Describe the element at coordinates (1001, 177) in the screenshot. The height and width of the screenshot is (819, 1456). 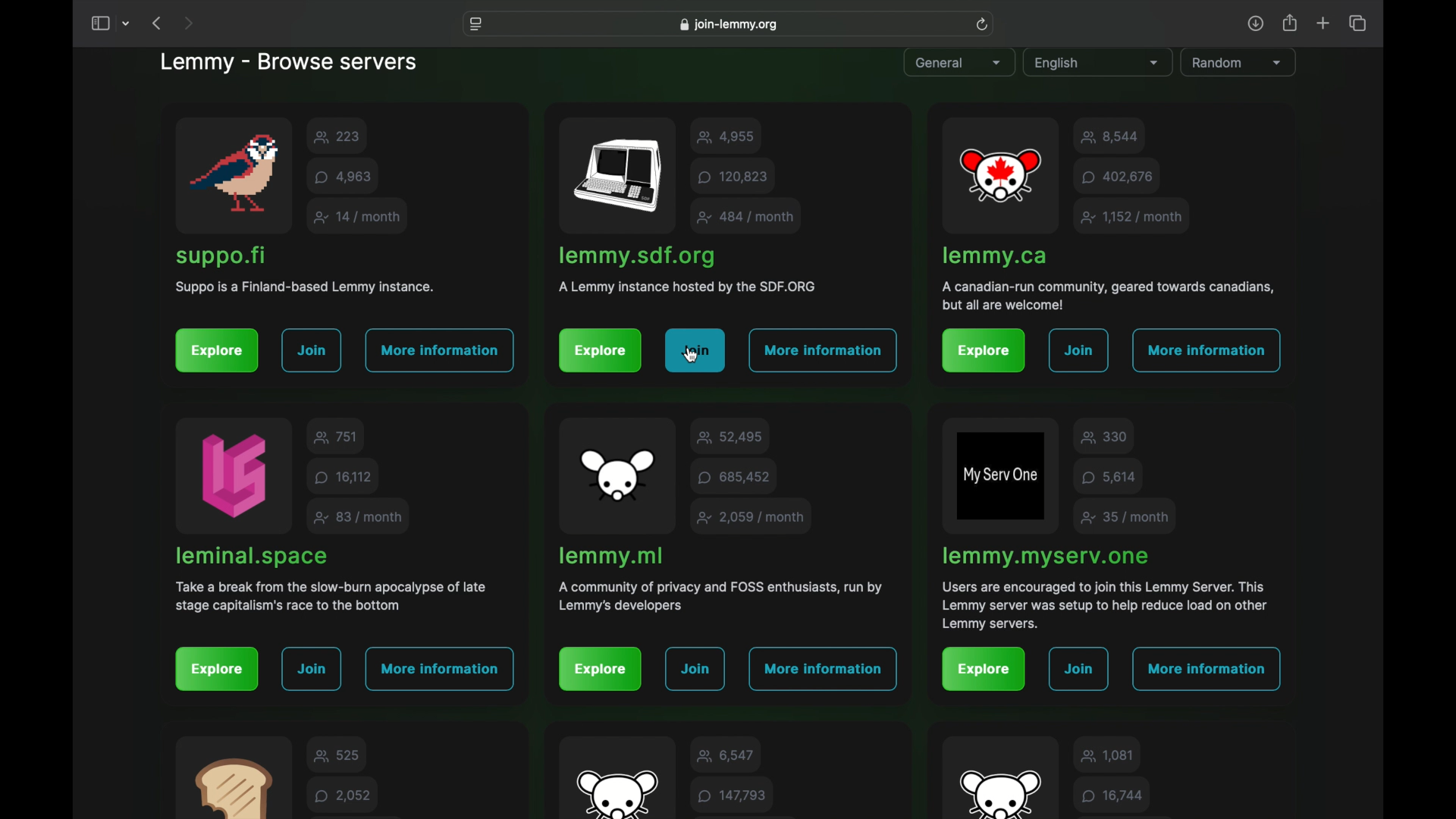
I see `server icon` at that location.